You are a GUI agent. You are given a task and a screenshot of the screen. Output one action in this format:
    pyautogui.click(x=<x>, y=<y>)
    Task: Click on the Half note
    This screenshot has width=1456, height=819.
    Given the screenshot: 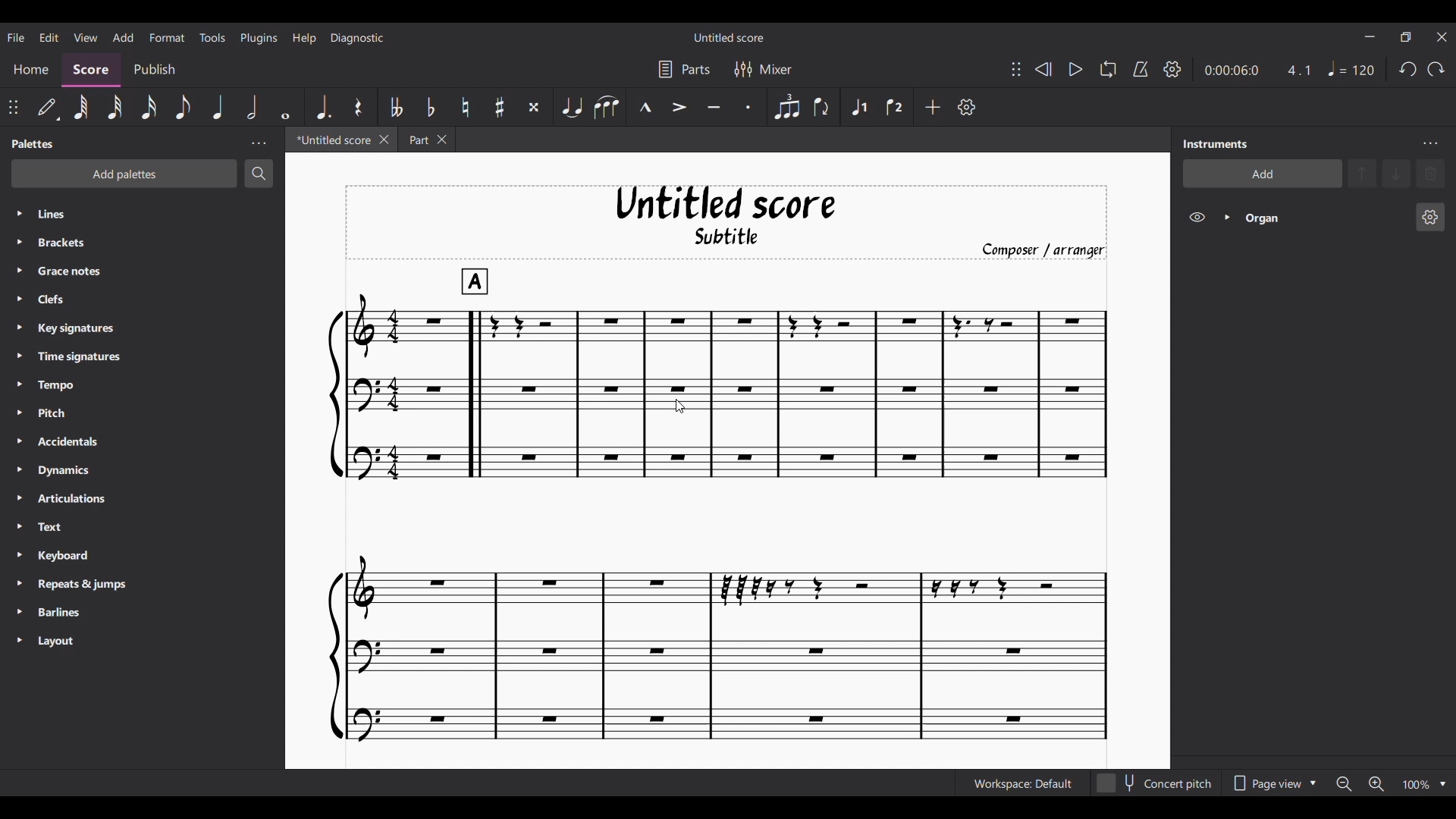 What is the action you would take?
    pyautogui.click(x=252, y=107)
    